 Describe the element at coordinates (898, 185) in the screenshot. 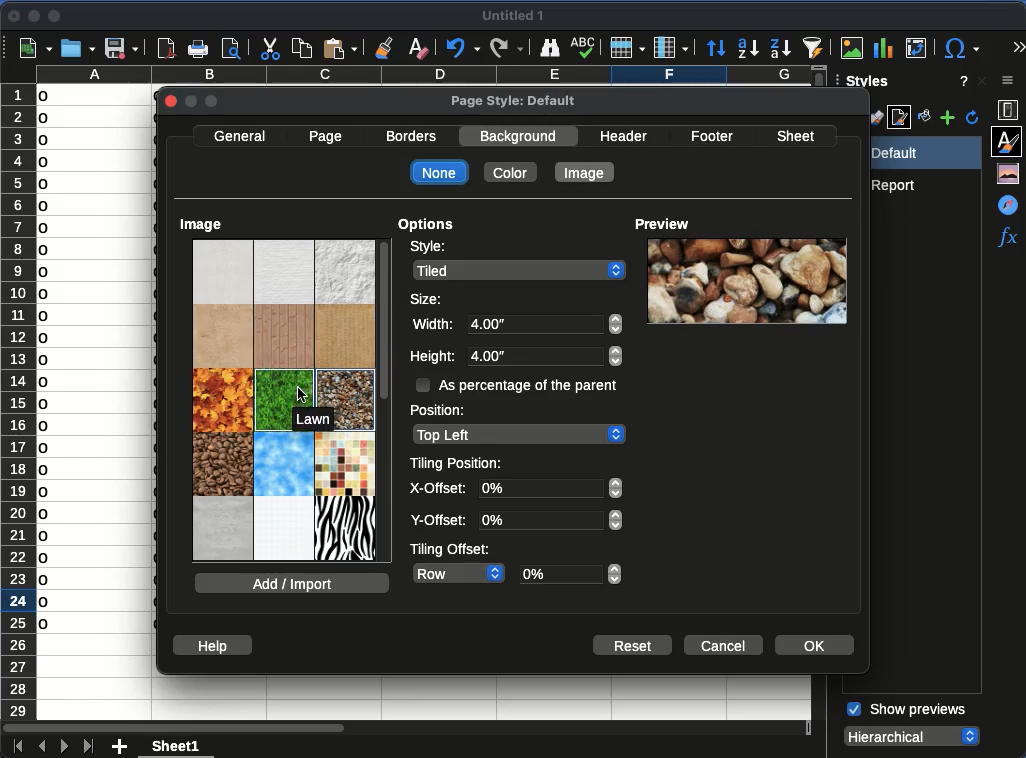

I see `report` at that location.